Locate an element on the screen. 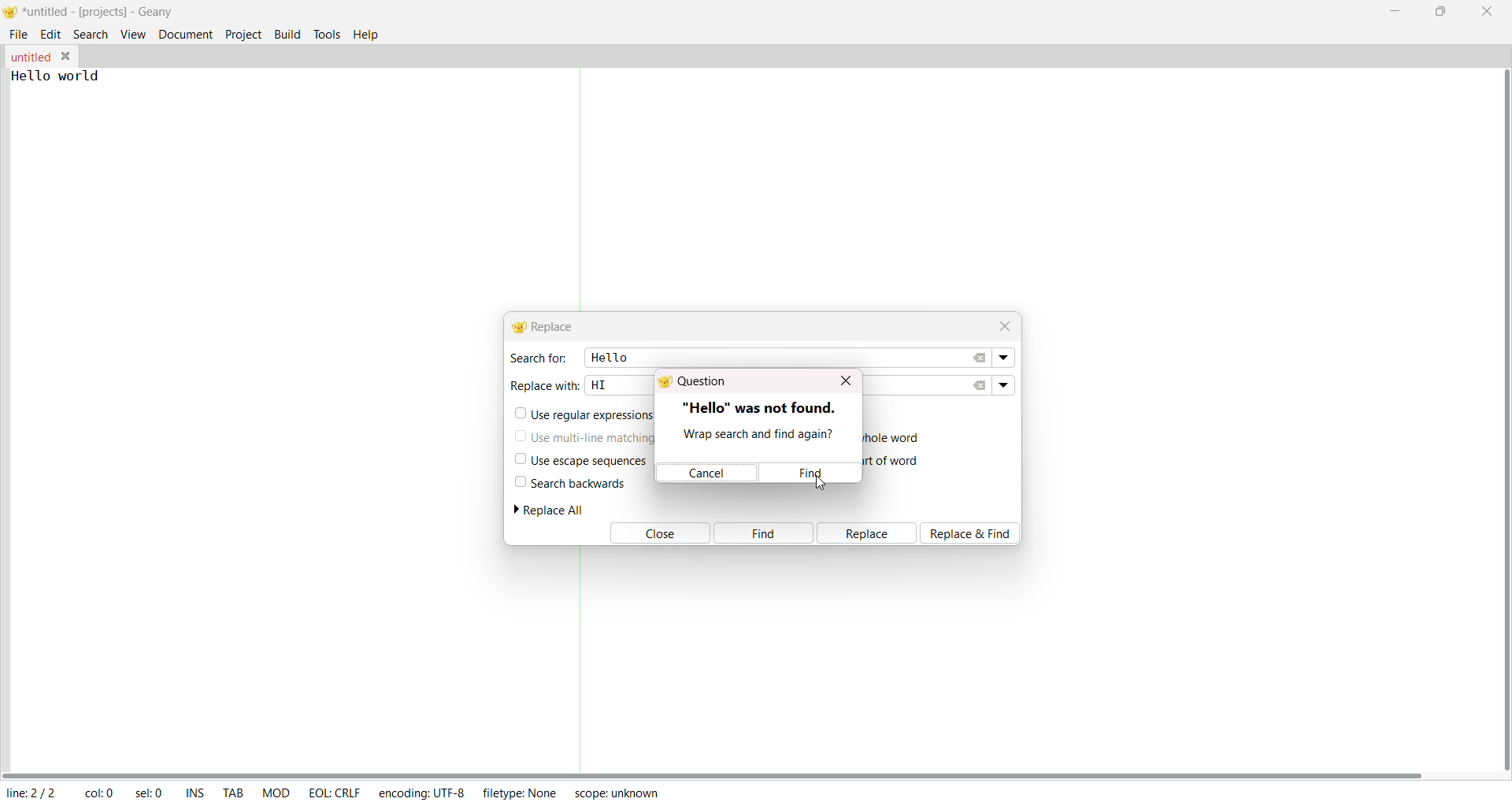  replace all is located at coordinates (555, 510).